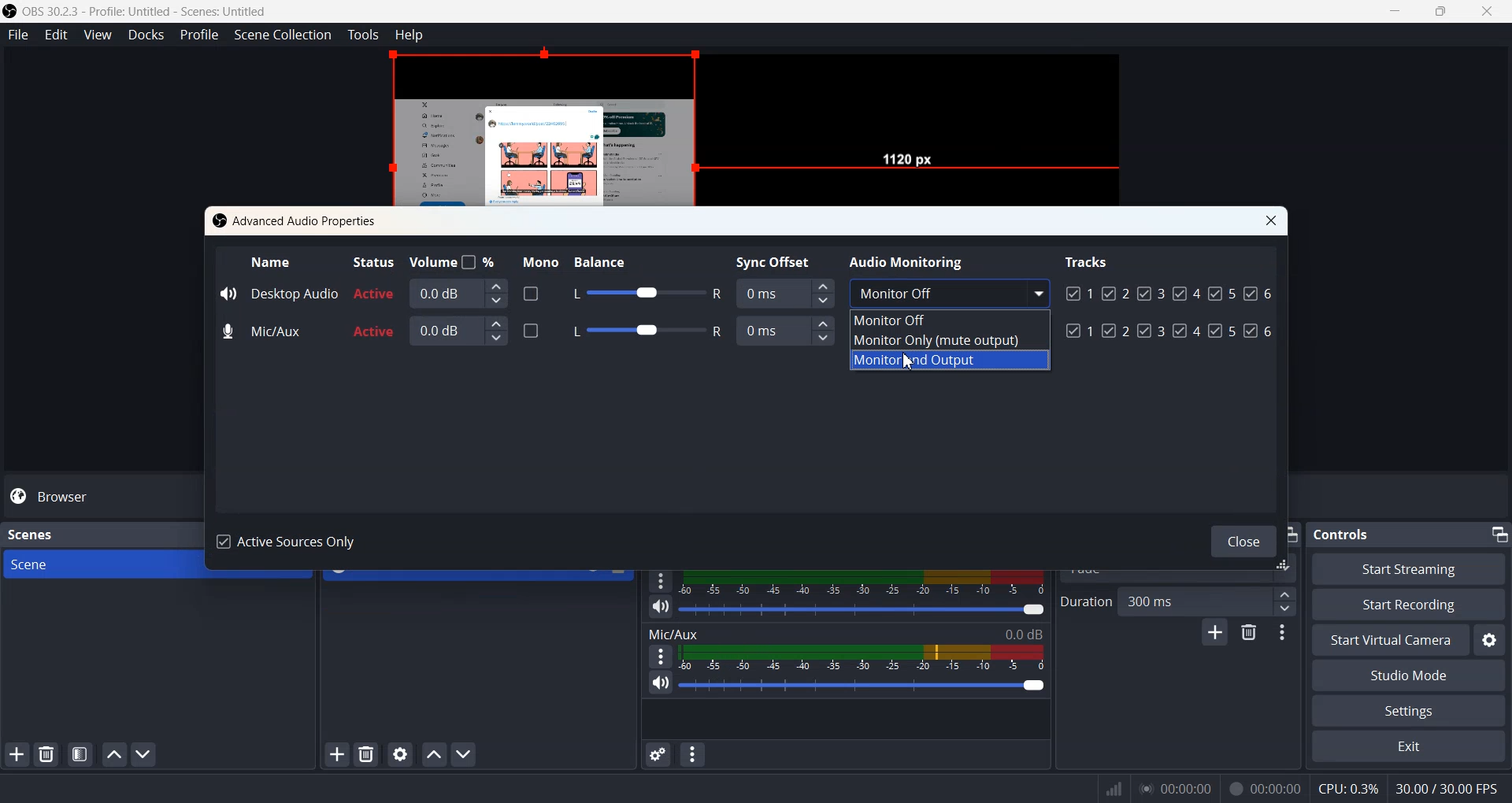 The height and width of the screenshot is (803, 1512). Describe the element at coordinates (1169, 309) in the screenshot. I see `Tracks Enabled` at that location.